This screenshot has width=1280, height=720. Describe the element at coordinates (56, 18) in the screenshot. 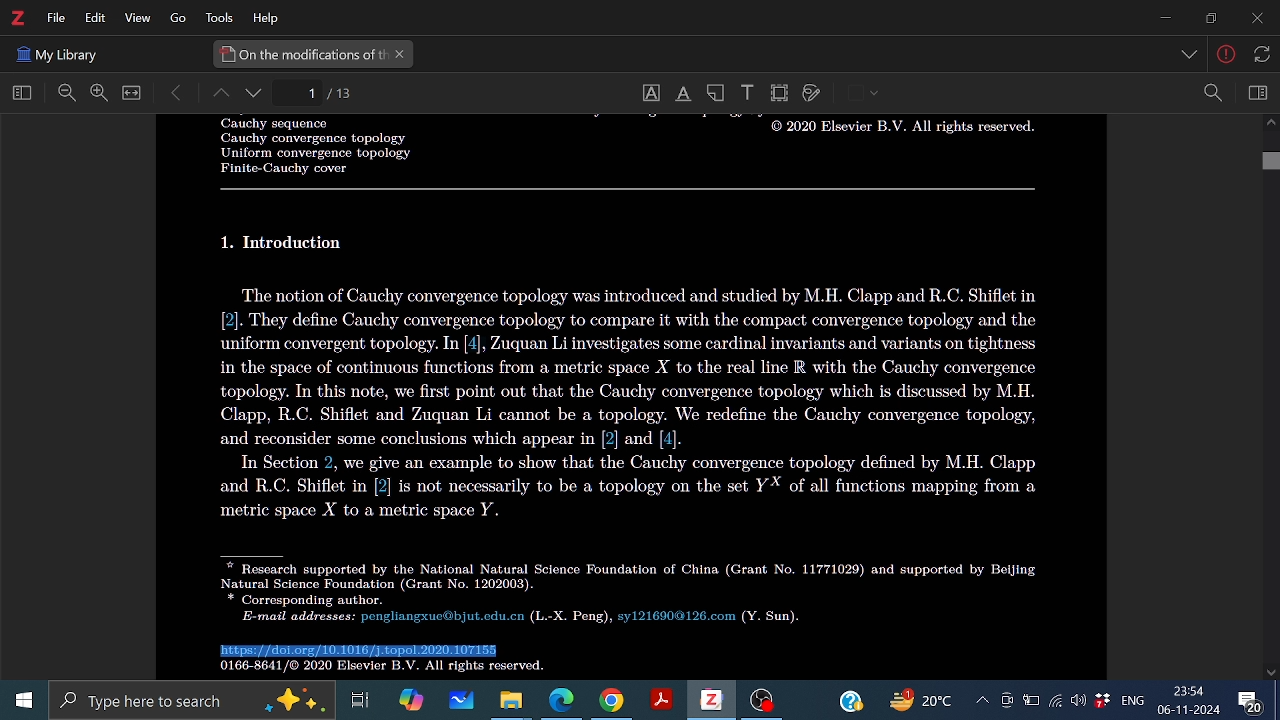

I see `File` at that location.